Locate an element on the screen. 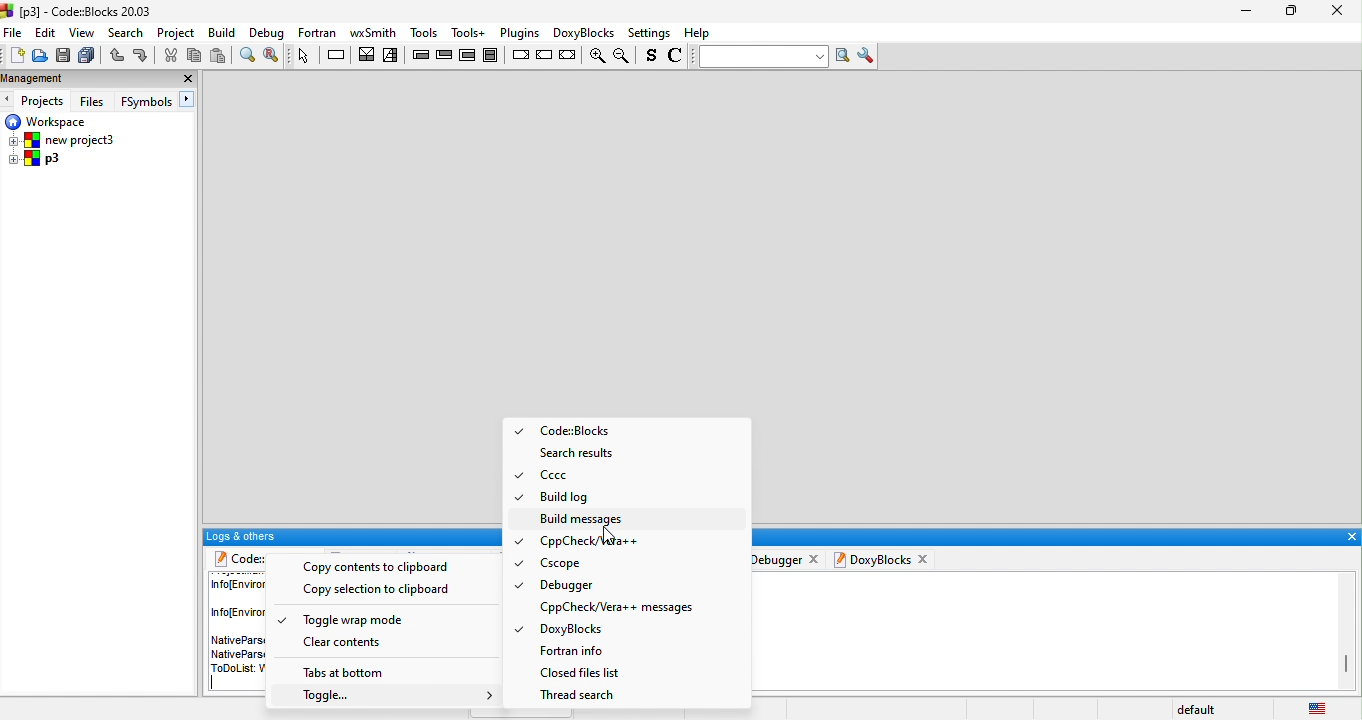 This screenshot has width=1362, height=720. management is located at coordinates (70, 80).